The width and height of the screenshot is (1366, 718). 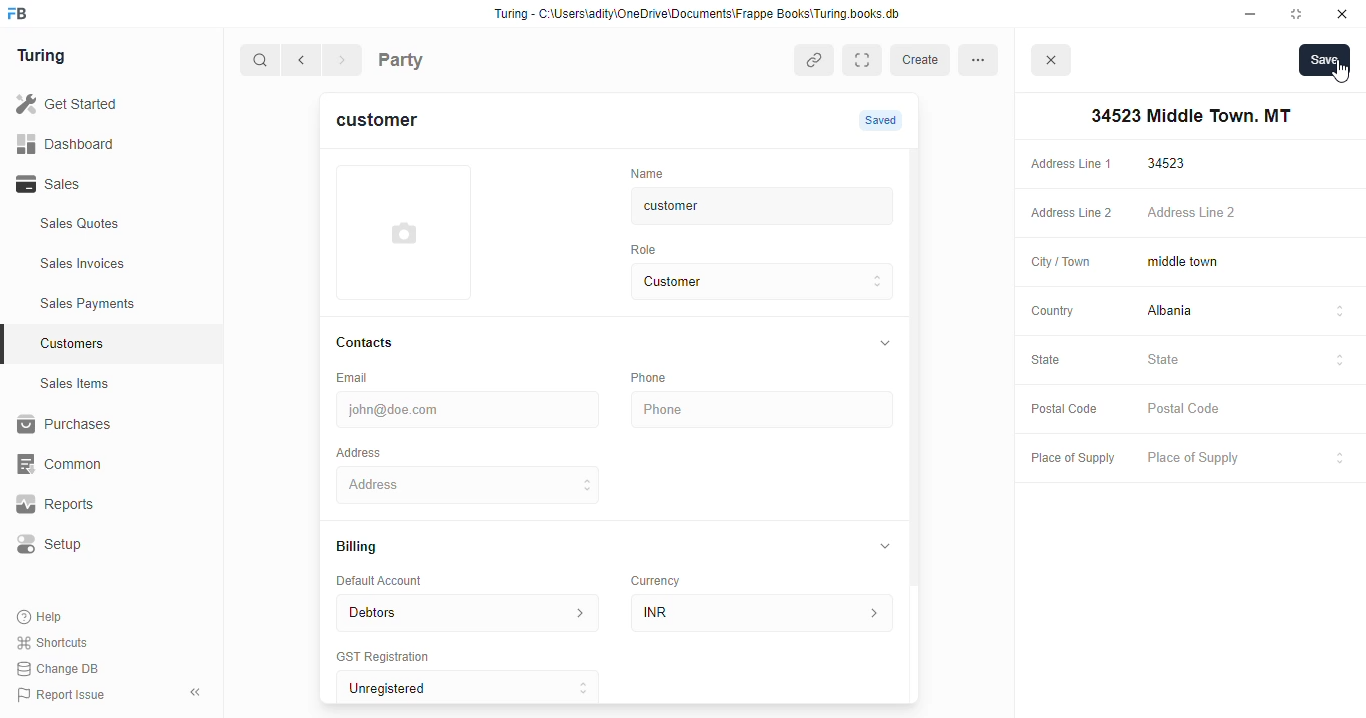 I want to click on Help, so click(x=42, y=618).